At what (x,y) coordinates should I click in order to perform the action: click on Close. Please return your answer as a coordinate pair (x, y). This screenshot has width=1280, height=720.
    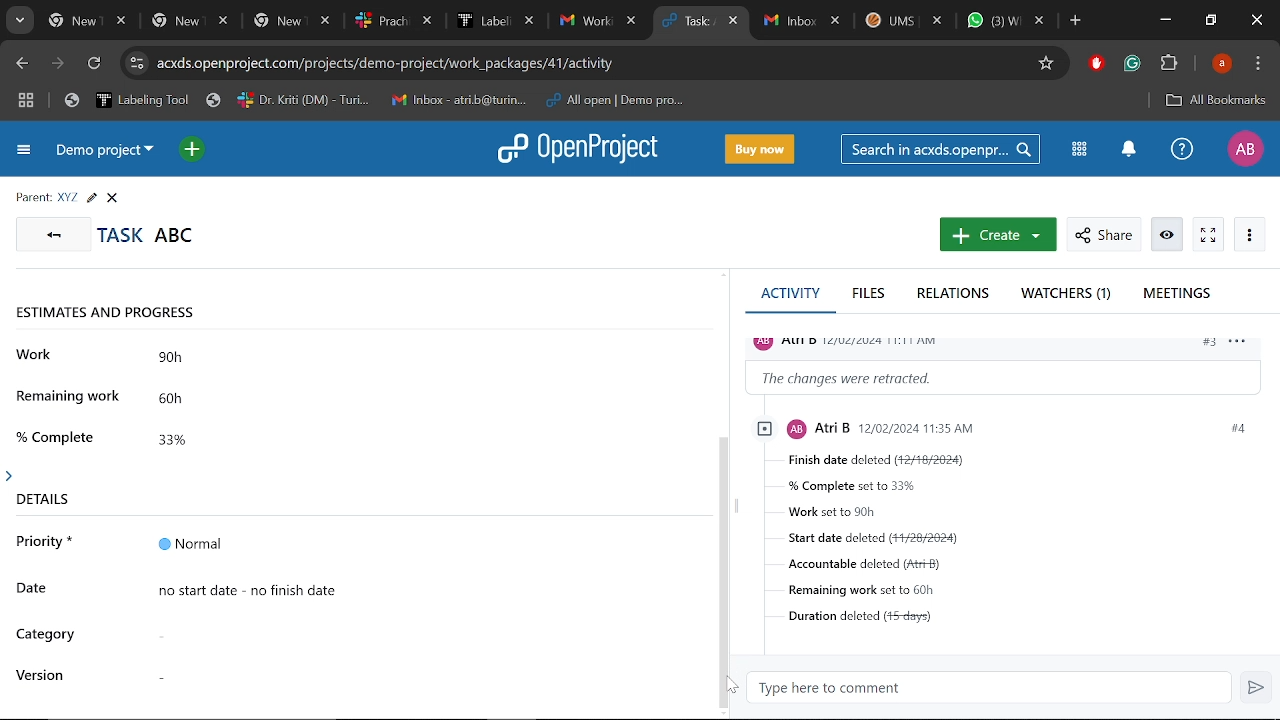
    Looking at the image, I should click on (112, 198).